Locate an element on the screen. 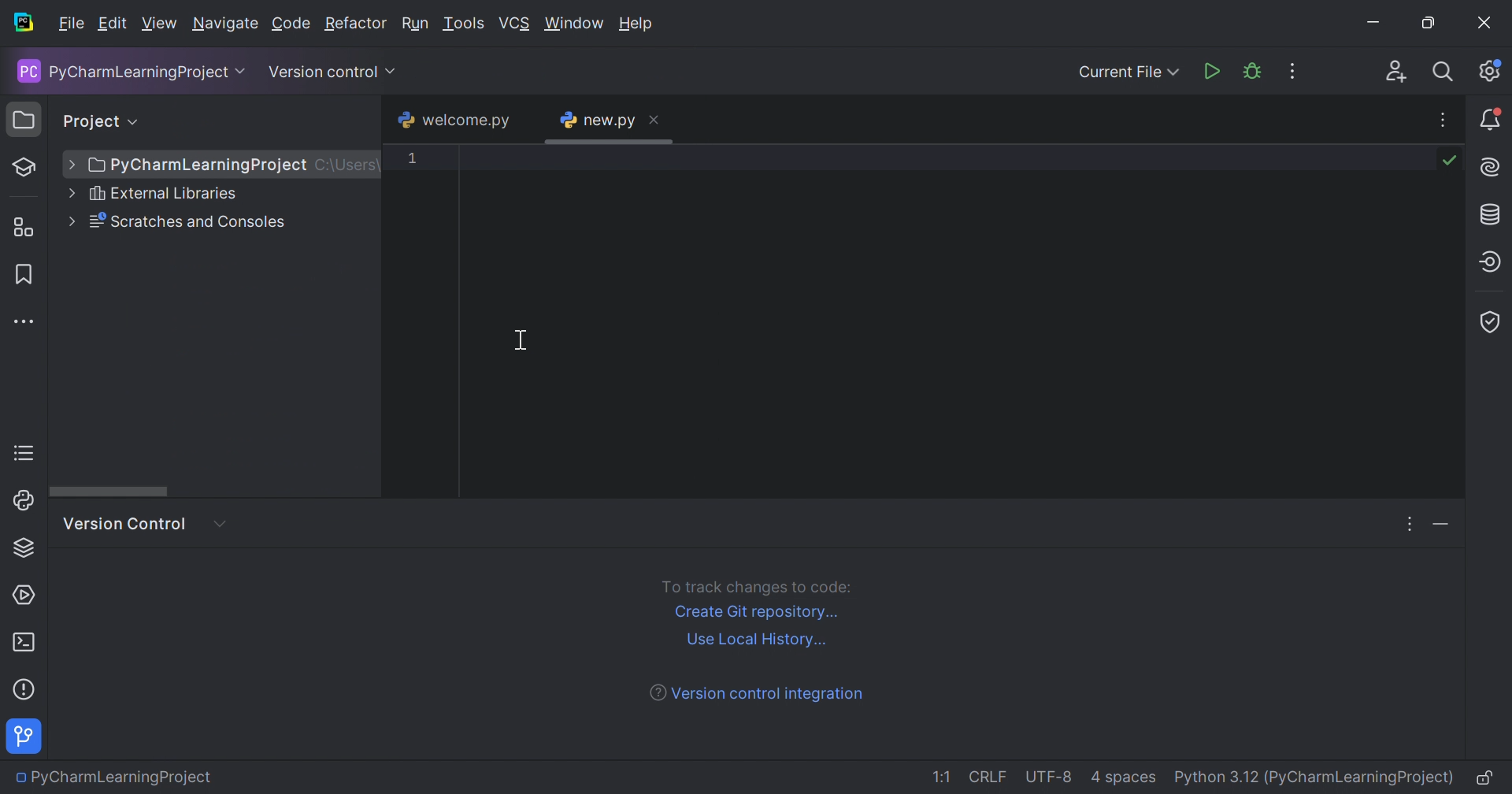 This screenshot has width=1512, height=794. More is located at coordinates (221, 525).